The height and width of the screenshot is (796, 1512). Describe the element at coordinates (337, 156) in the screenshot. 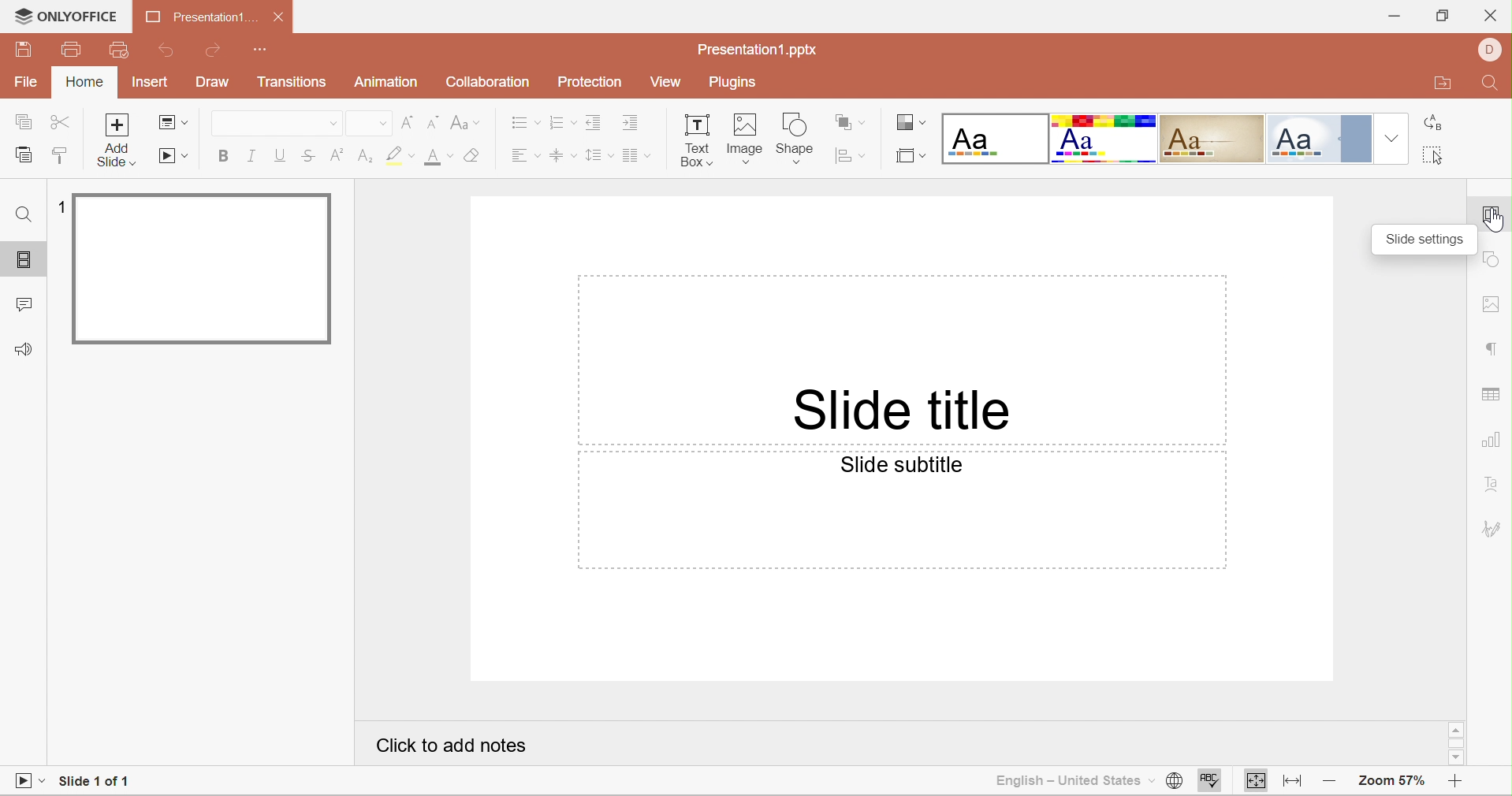

I see `Superscript` at that location.